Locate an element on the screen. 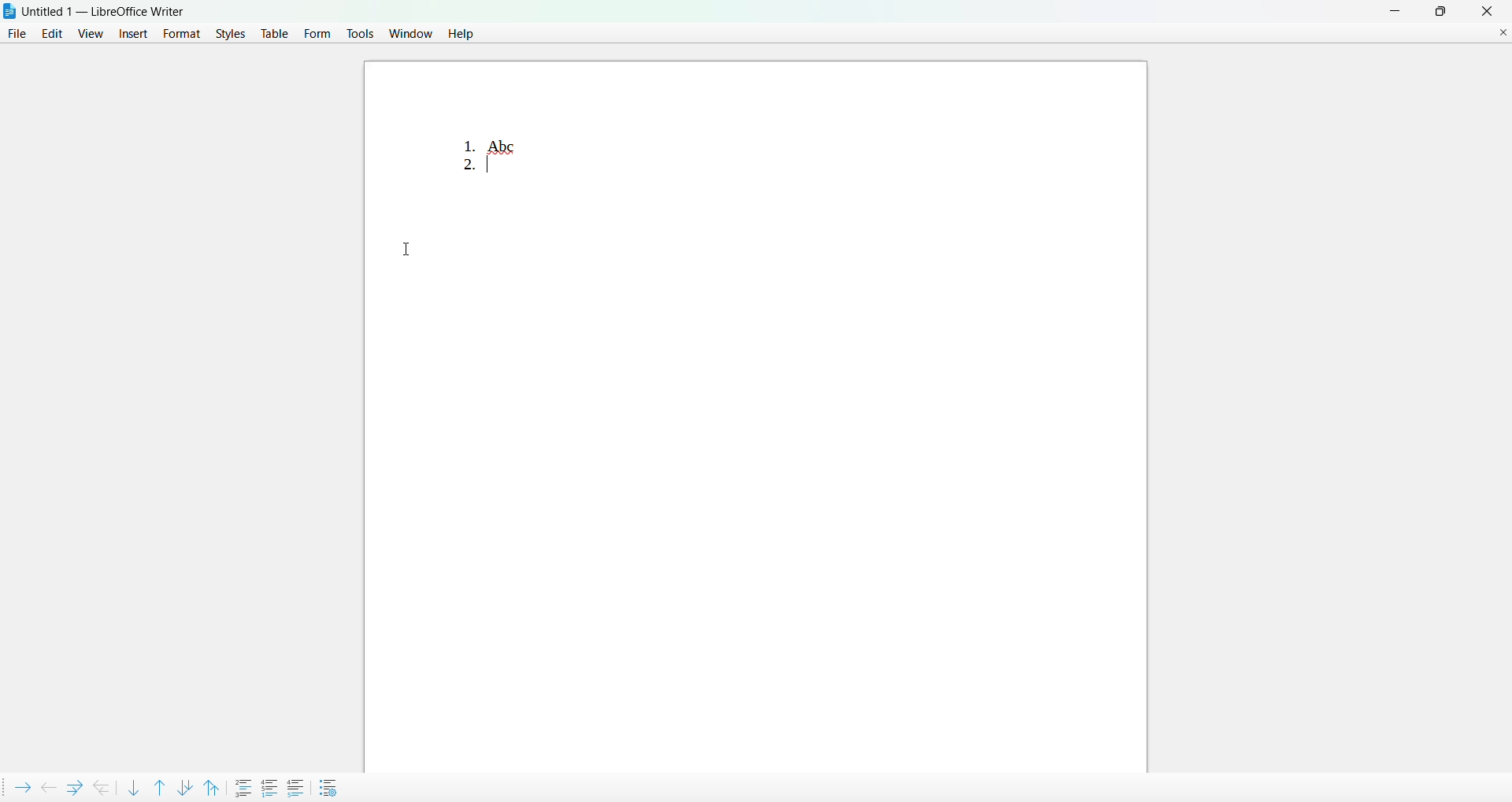  canvas is located at coordinates (845, 425).